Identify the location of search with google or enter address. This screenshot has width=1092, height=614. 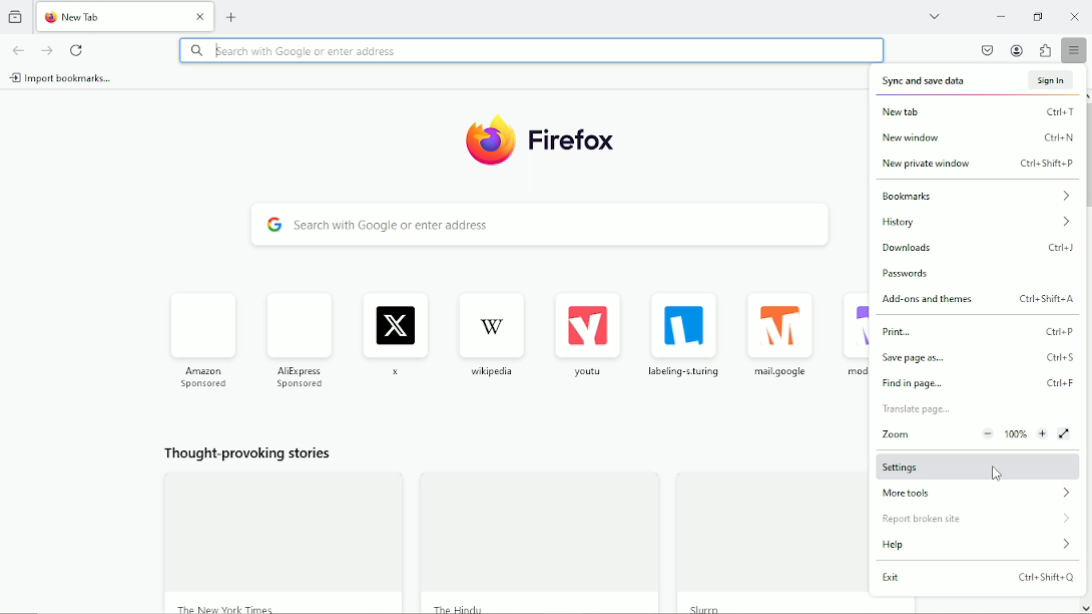
(532, 50).